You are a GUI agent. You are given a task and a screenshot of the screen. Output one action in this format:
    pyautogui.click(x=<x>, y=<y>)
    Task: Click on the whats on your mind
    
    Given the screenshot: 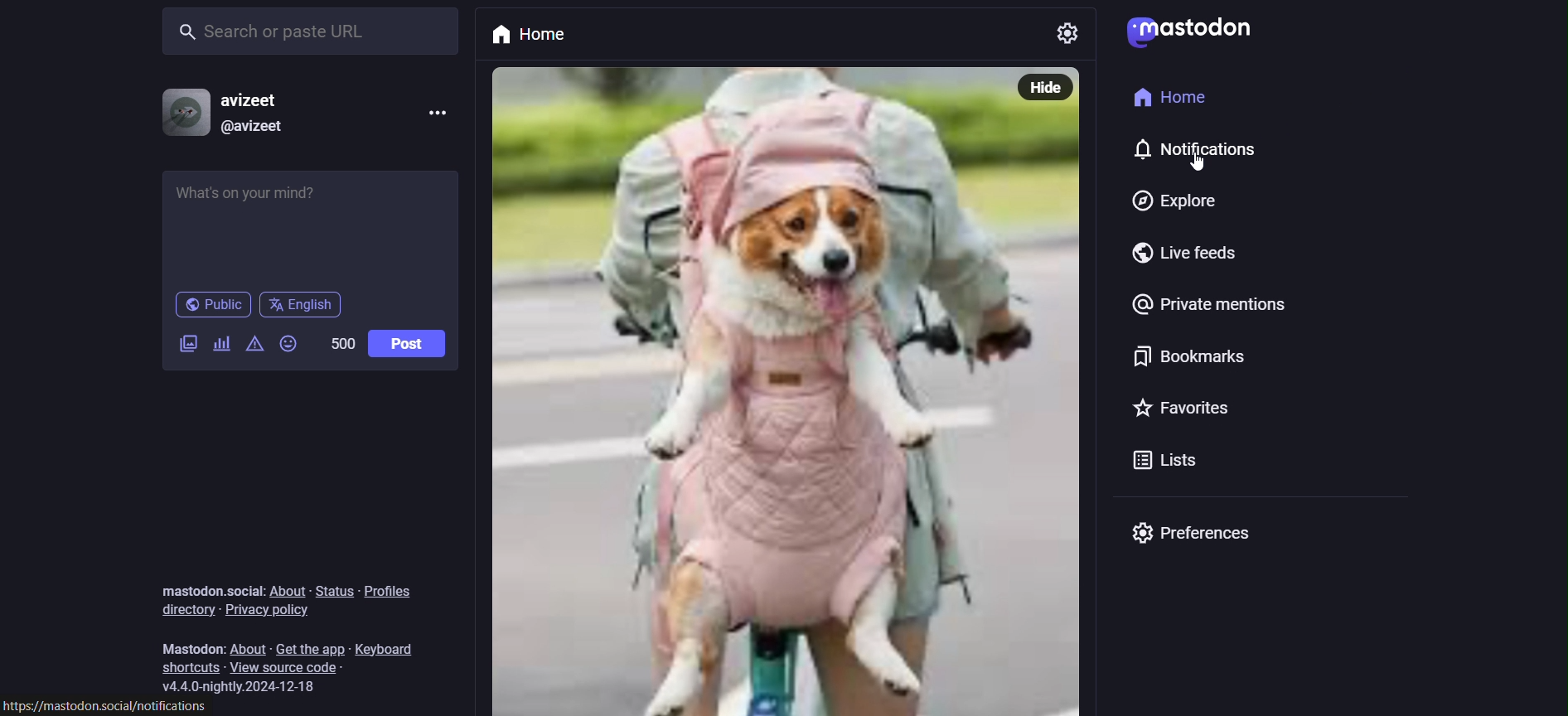 What is the action you would take?
    pyautogui.click(x=312, y=226)
    